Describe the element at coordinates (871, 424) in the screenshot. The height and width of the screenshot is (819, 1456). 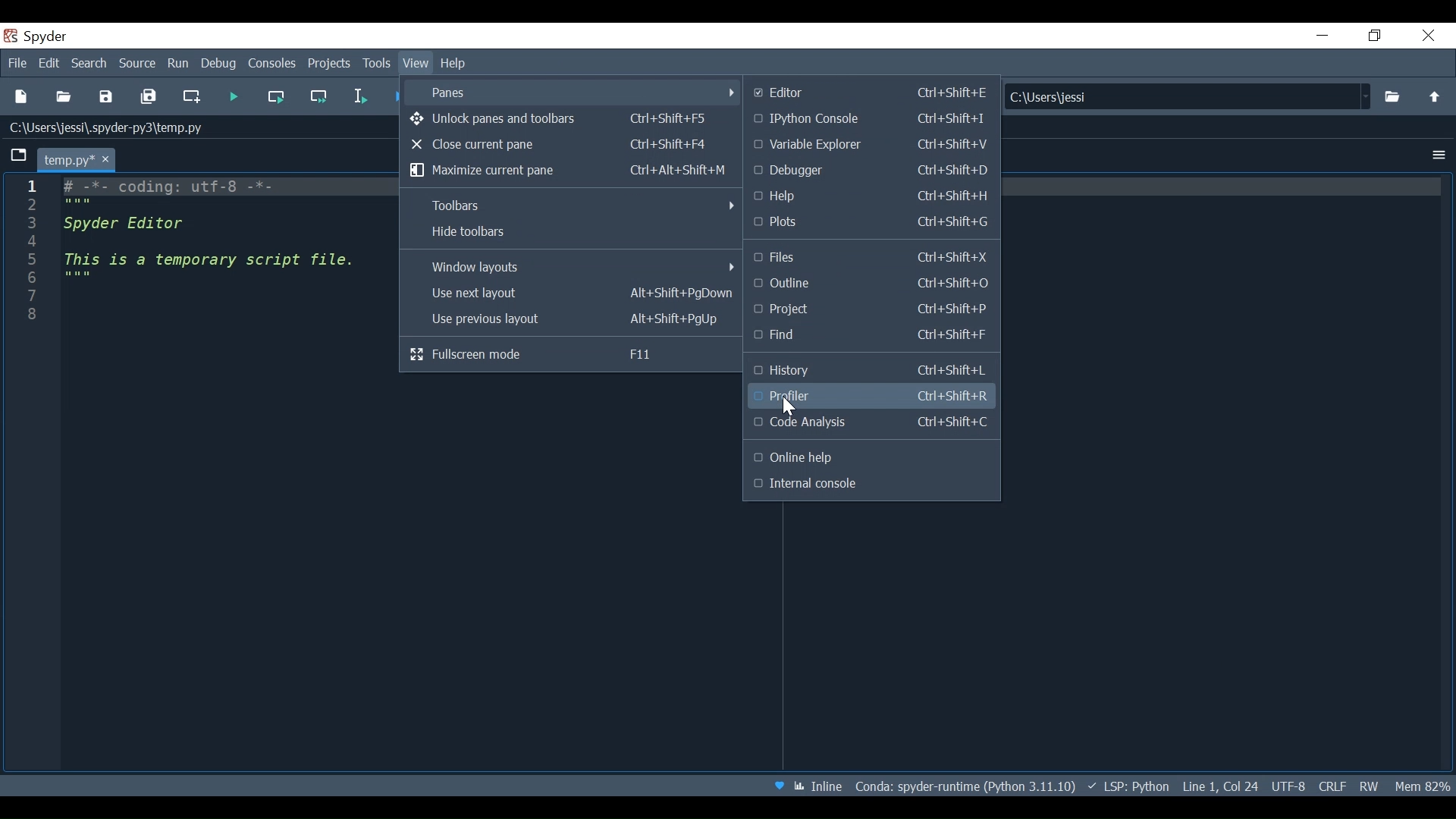
I see `Code Analysis` at that location.